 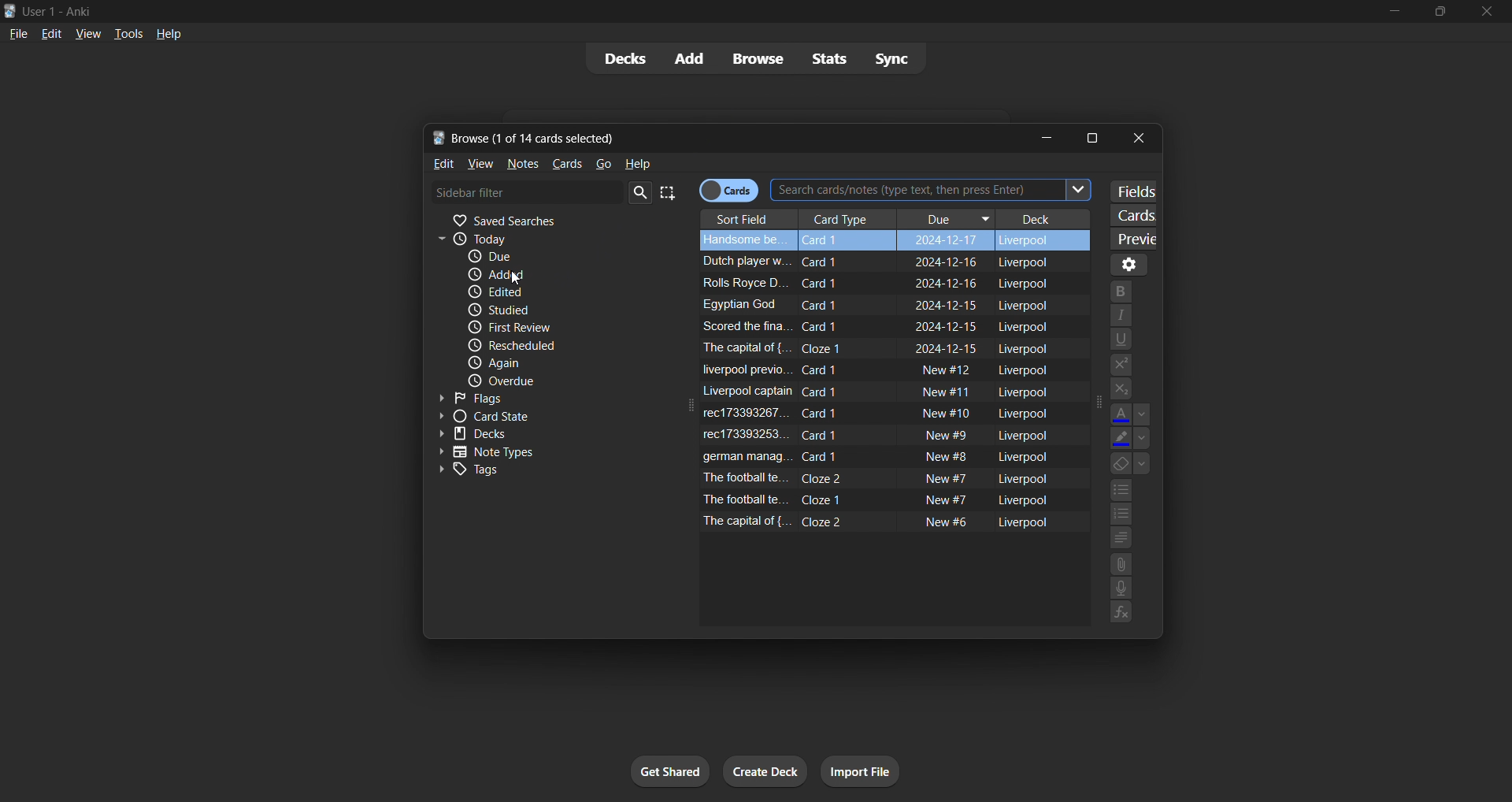 I want to click on expand icon, so click(x=1093, y=403).